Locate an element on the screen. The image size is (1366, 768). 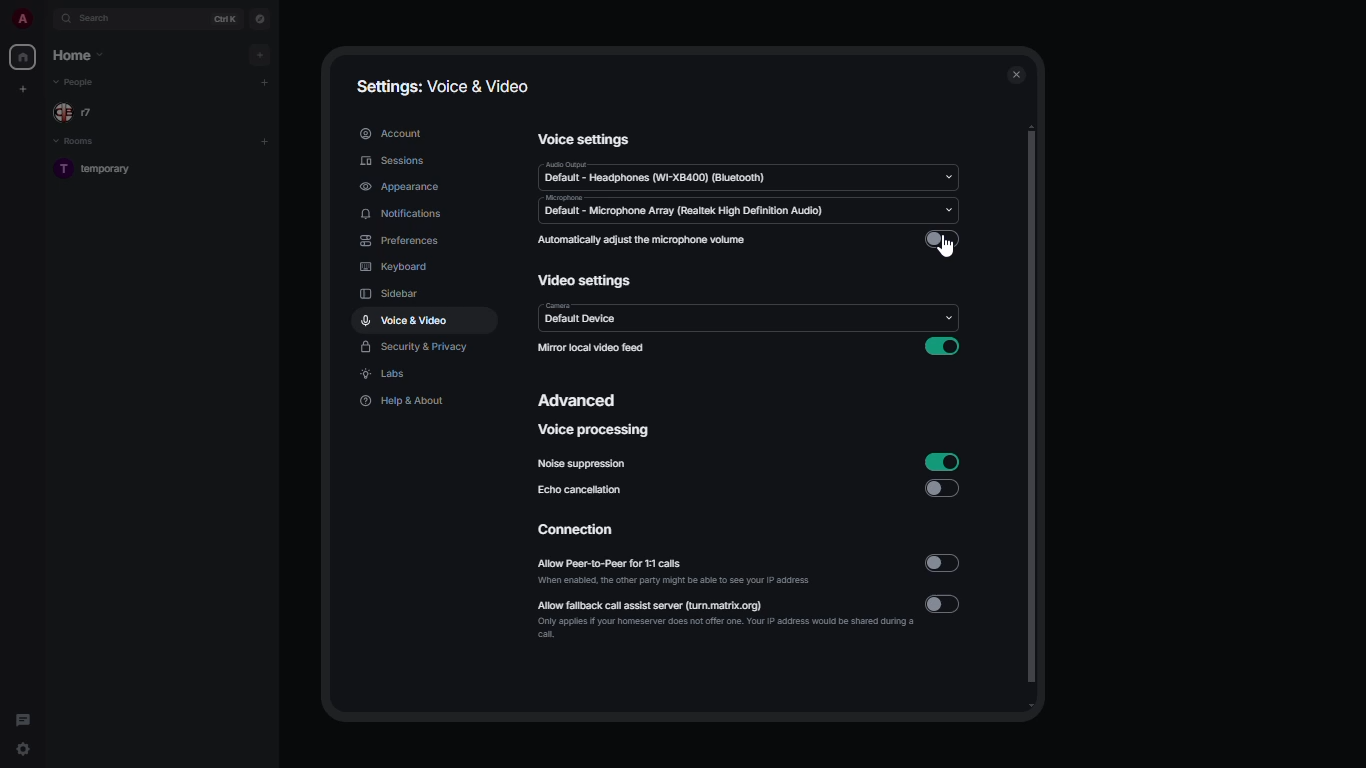
noise suppression is located at coordinates (585, 465).